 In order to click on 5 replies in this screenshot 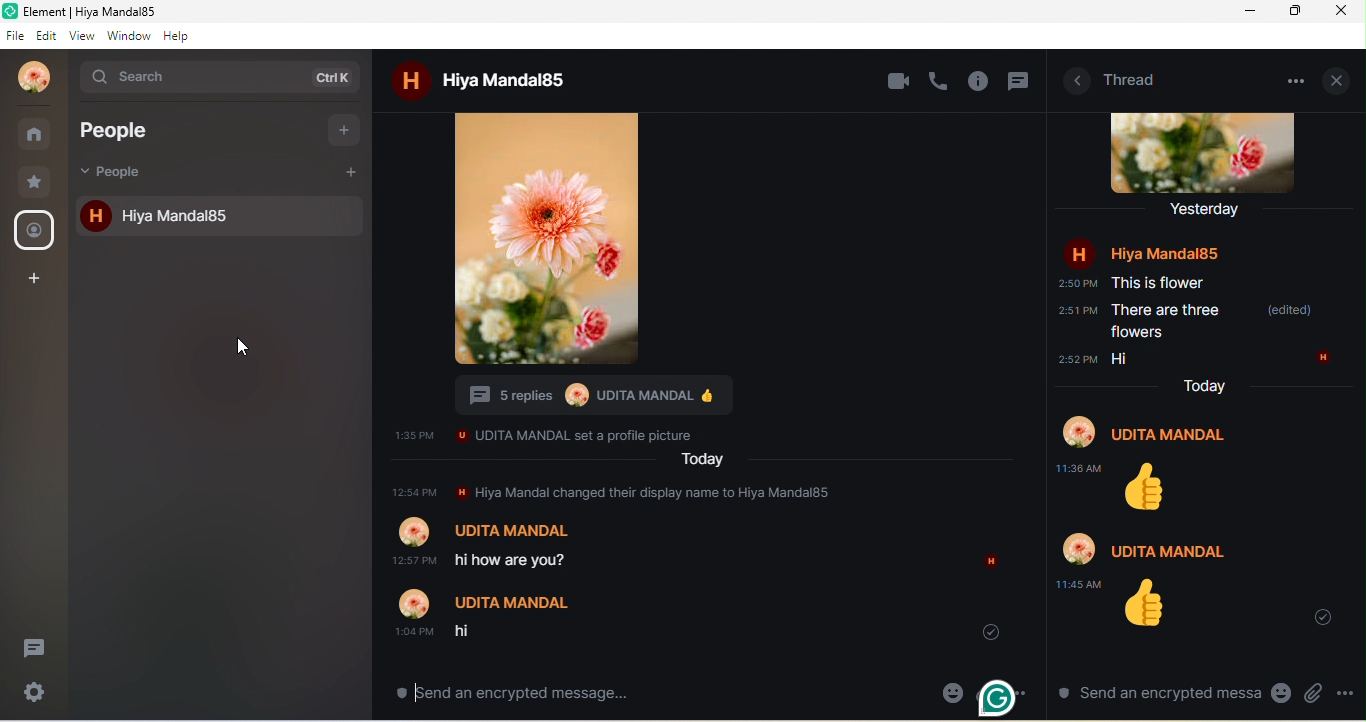, I will do `click(505, 394)`.